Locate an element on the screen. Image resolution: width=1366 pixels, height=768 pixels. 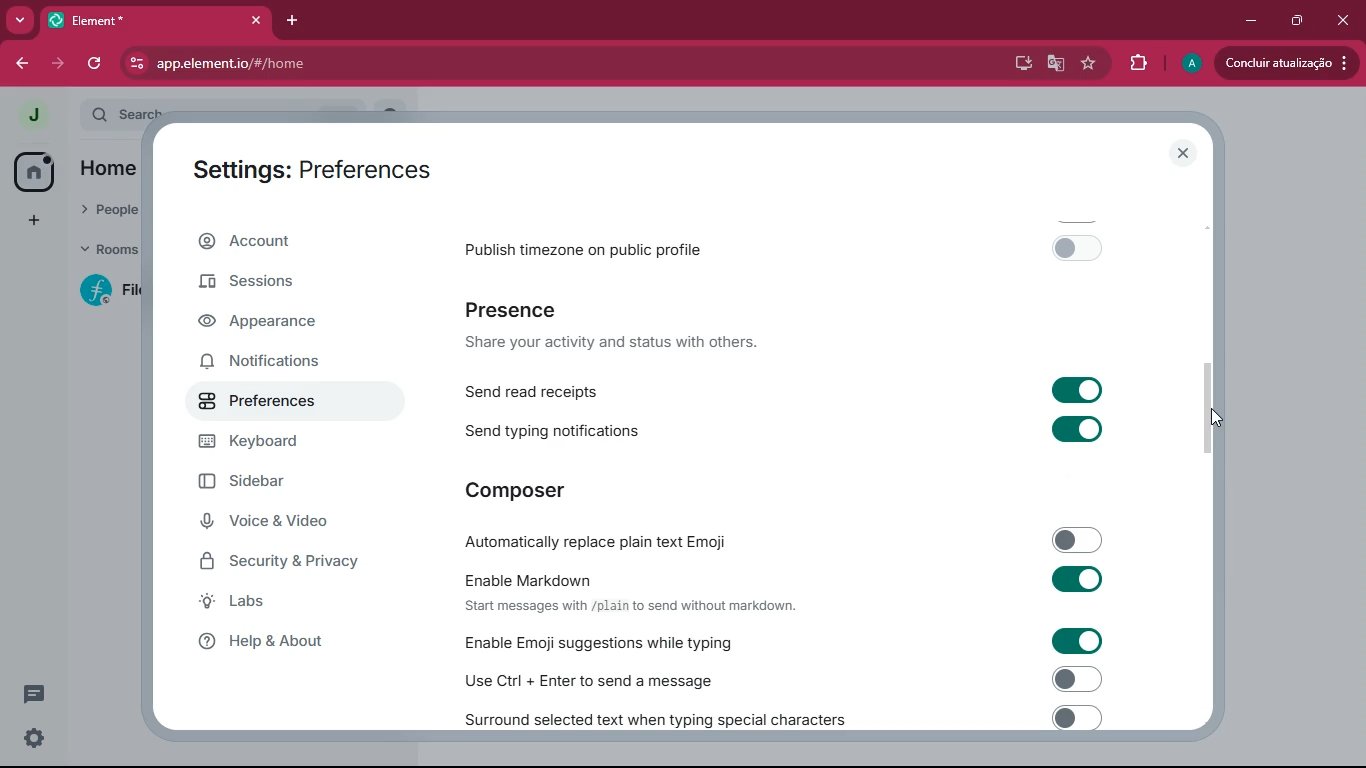
sessions is located at coordinates (254, 288).